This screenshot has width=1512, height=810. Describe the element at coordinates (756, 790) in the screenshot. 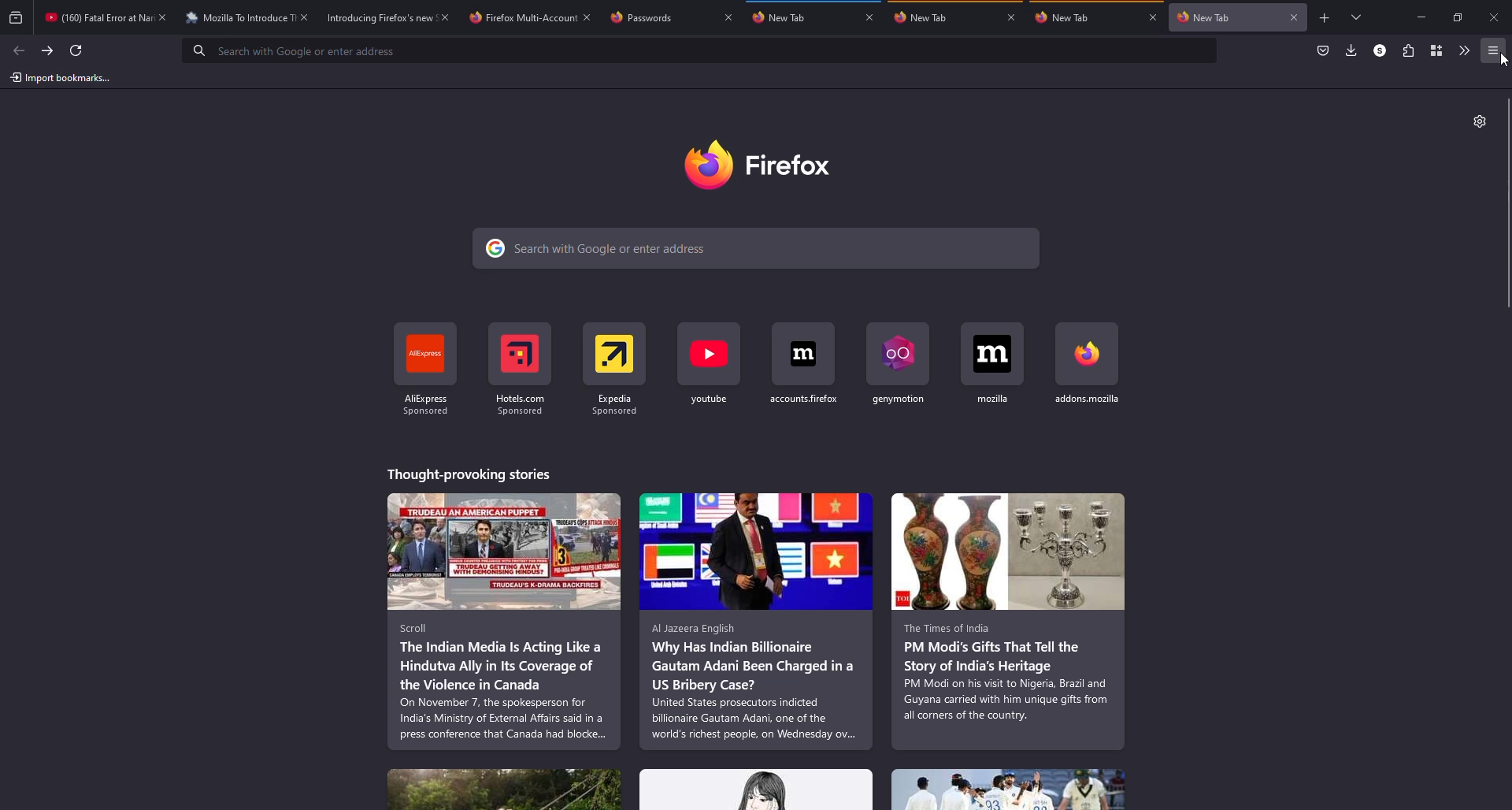

I see `stories` at that location.